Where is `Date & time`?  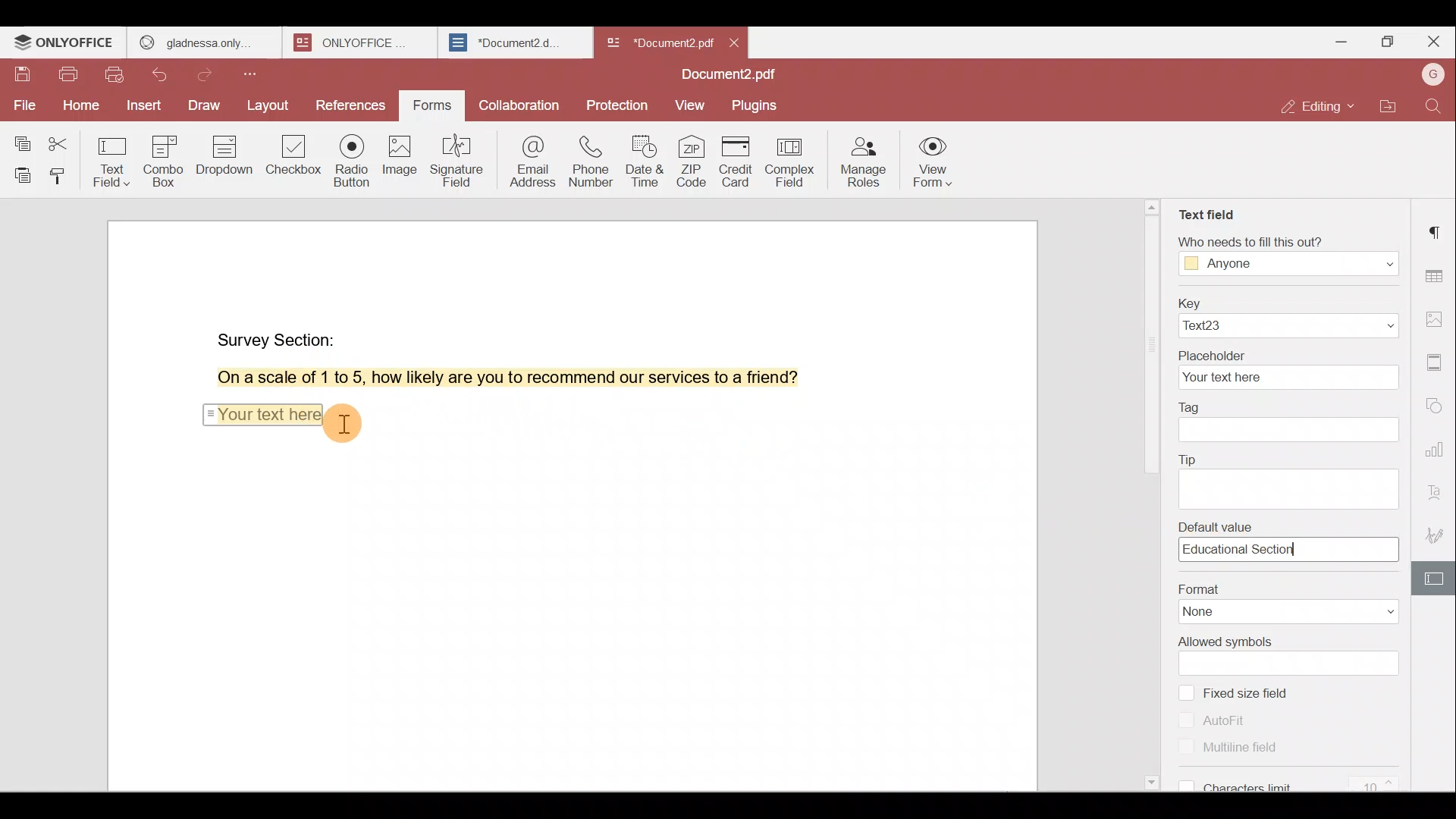 Date & time is located at coordinates (642, 157).